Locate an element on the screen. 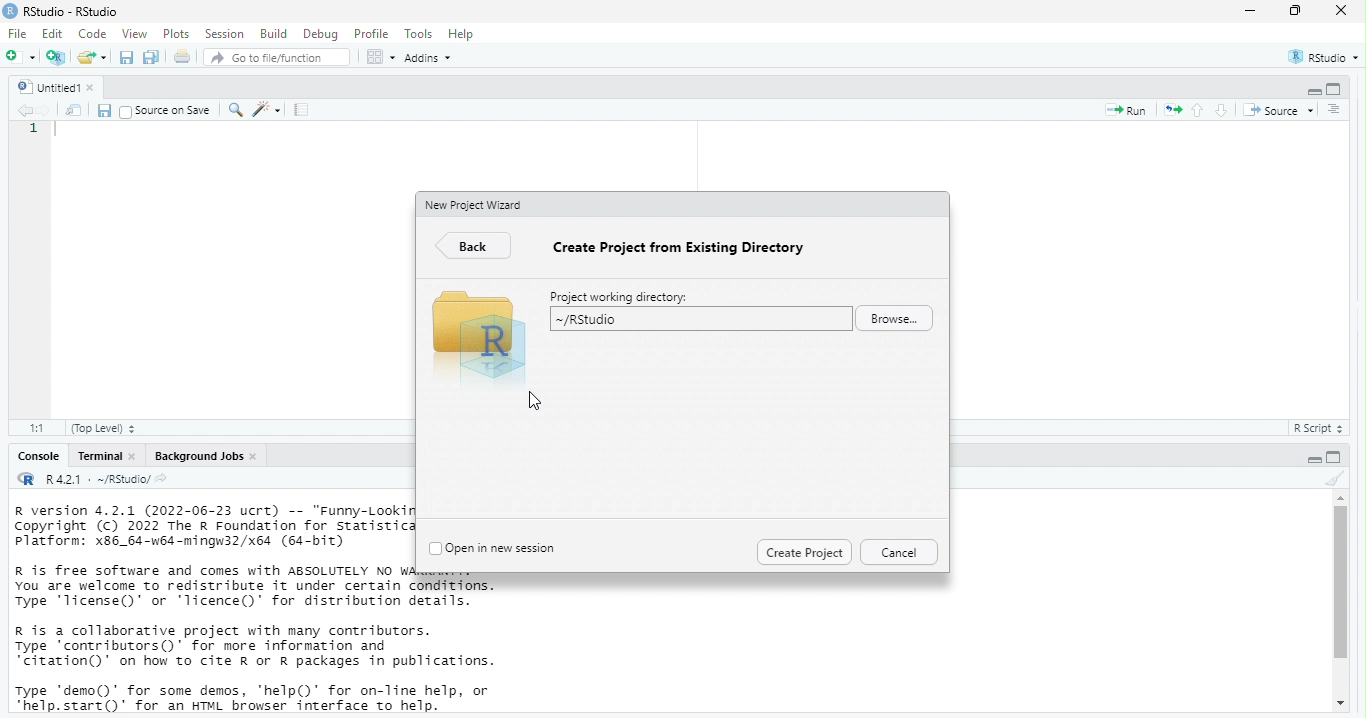  R 4.2.1 . ~/RStudio is located at coordinates (98, 480).